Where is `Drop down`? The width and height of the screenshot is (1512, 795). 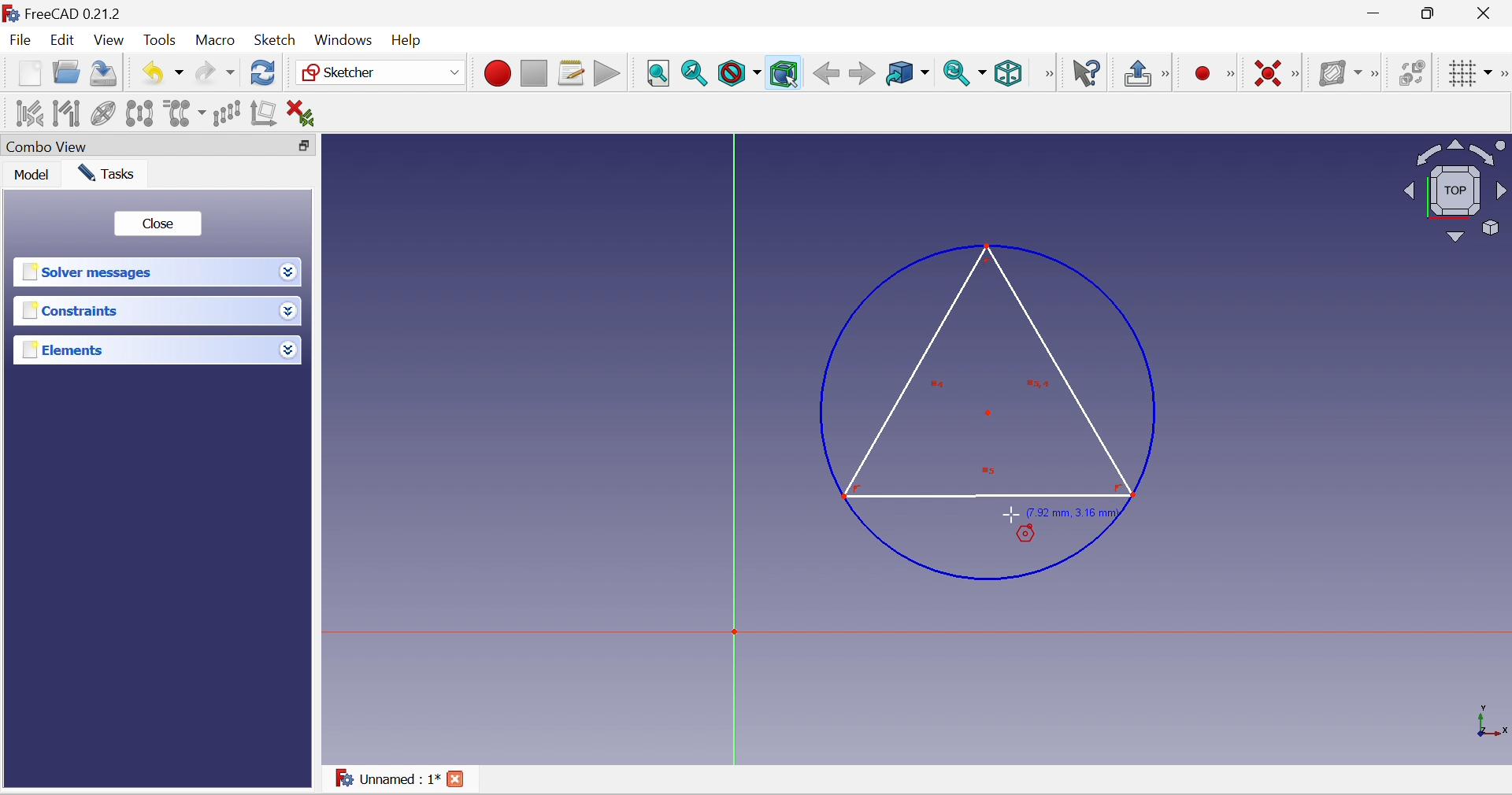 Drop down is located at coordinates (289, 312).